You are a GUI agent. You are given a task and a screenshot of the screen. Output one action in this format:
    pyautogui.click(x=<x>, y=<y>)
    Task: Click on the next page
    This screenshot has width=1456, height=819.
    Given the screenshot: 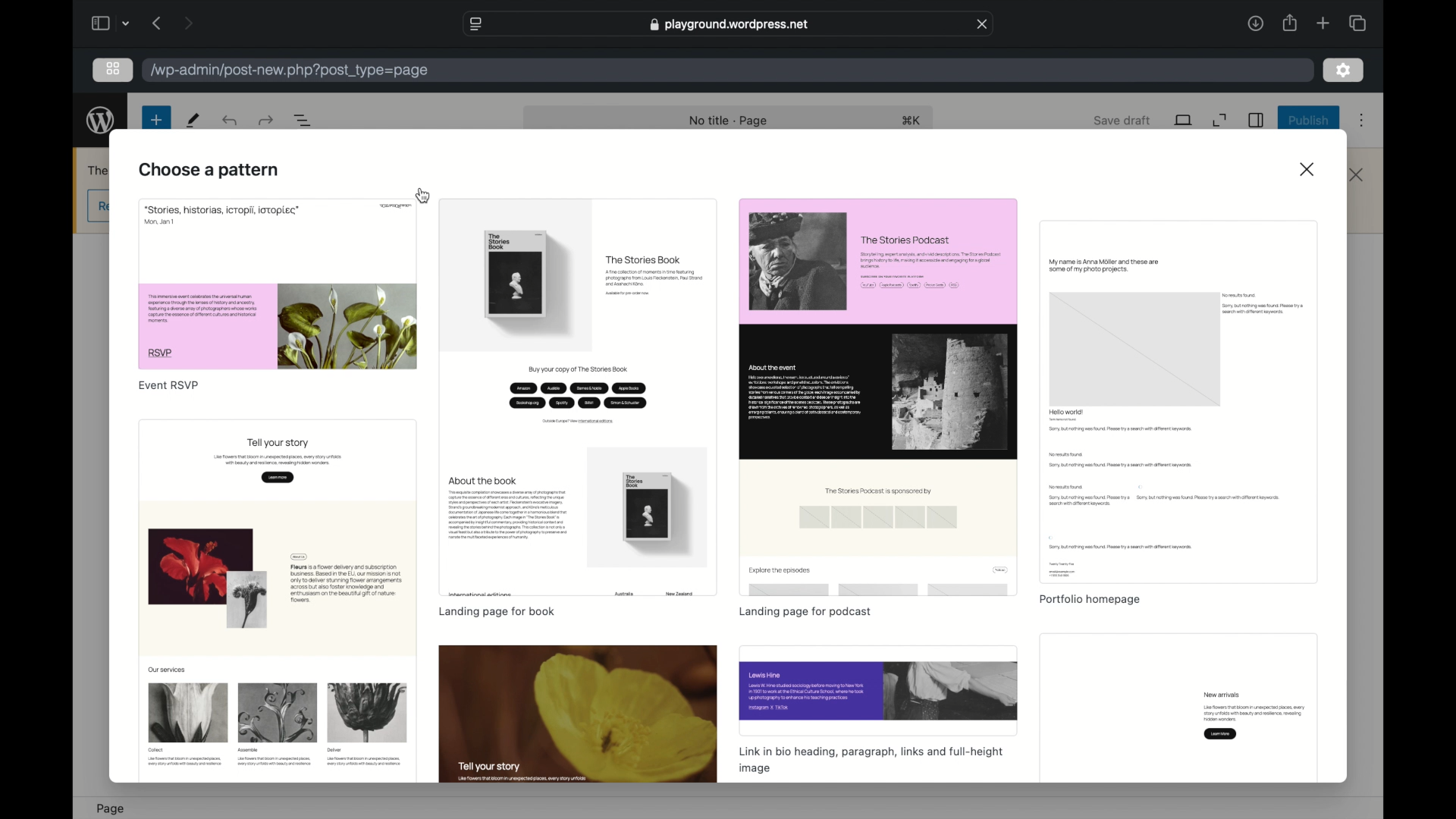 What is the action you would take?
    pyautogui.click(x=190, y=22)
    